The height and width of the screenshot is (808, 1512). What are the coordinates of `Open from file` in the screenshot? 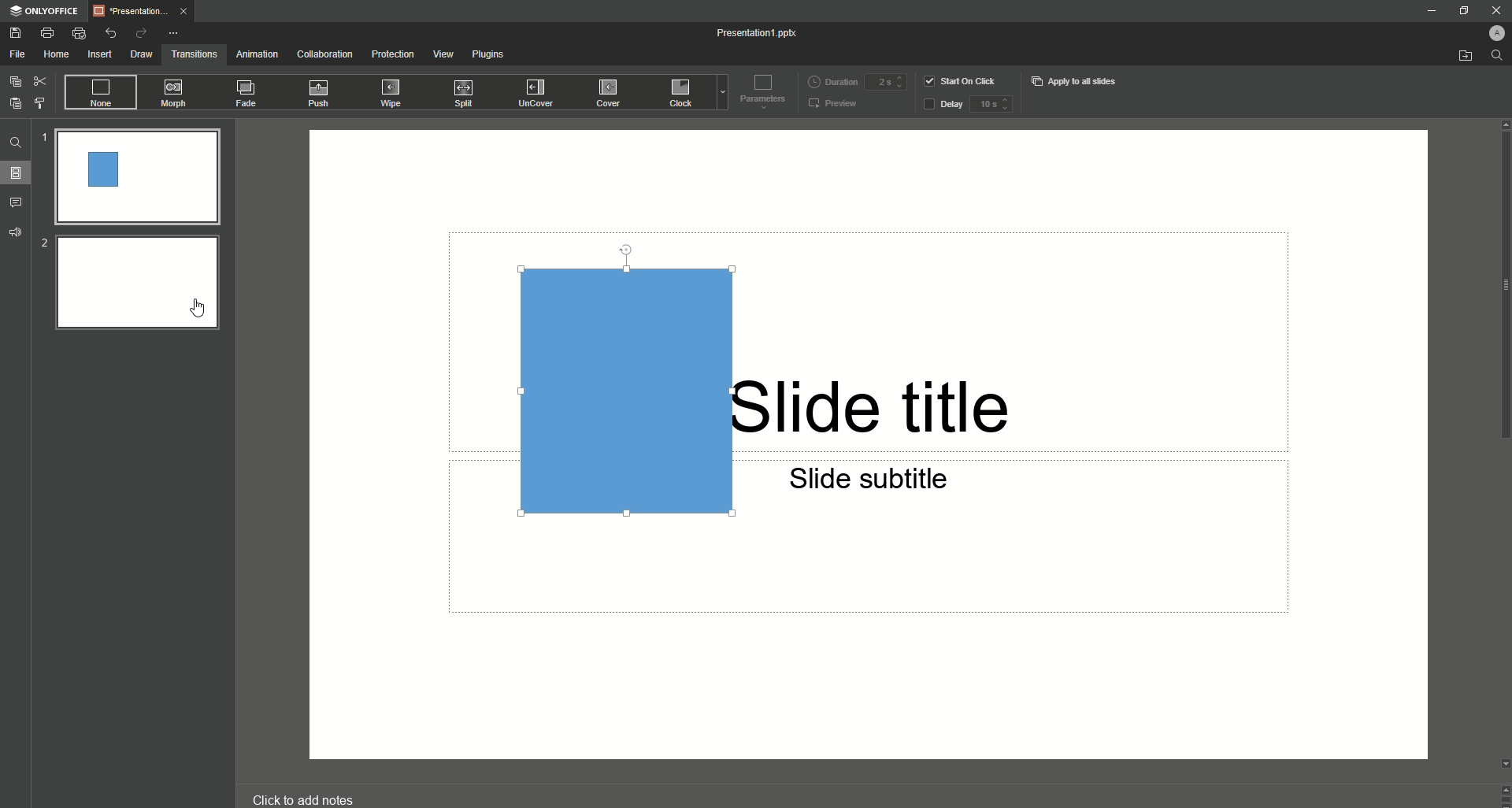 It's located at (1458, 55).